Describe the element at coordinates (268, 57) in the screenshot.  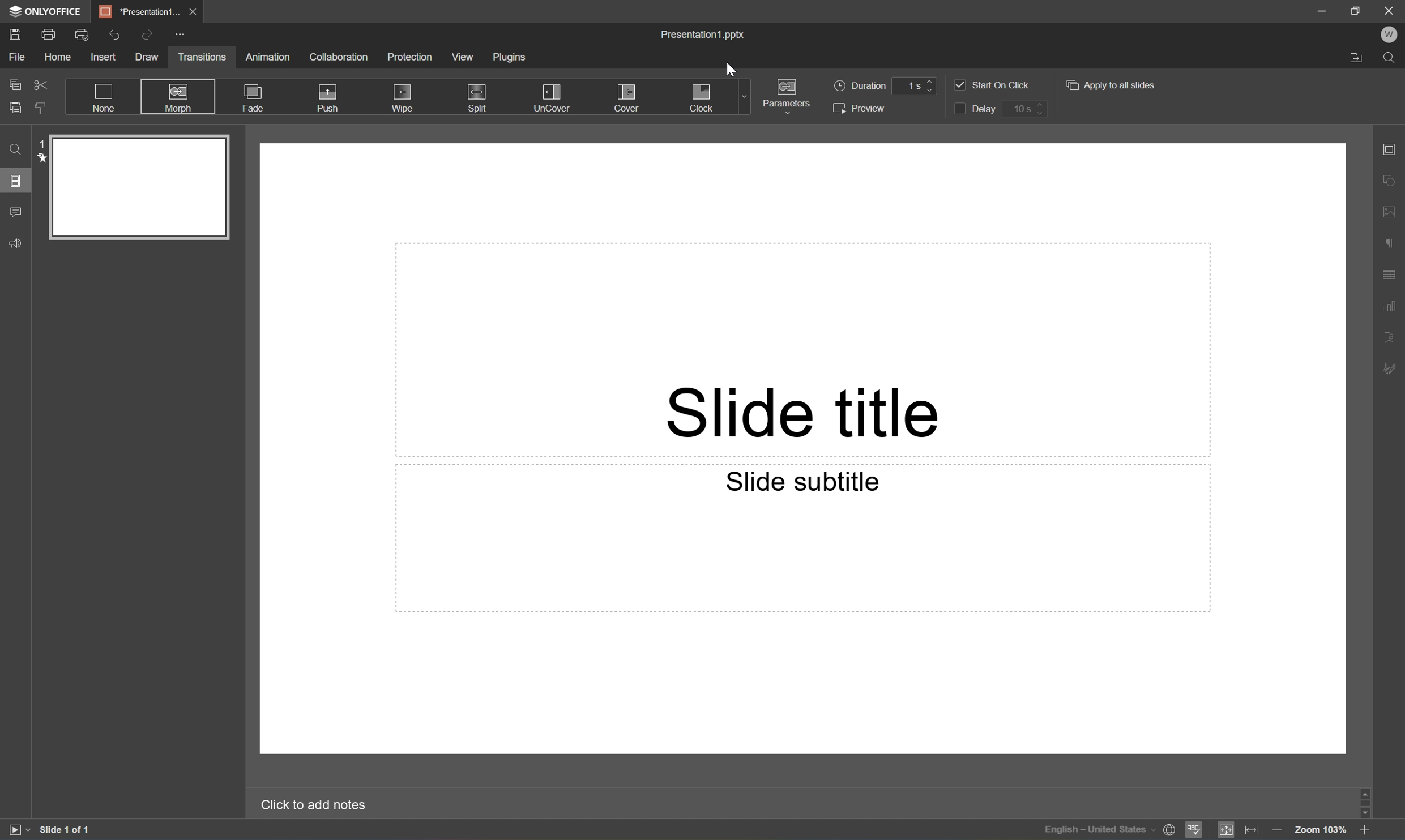
I see `Animation` at that location.